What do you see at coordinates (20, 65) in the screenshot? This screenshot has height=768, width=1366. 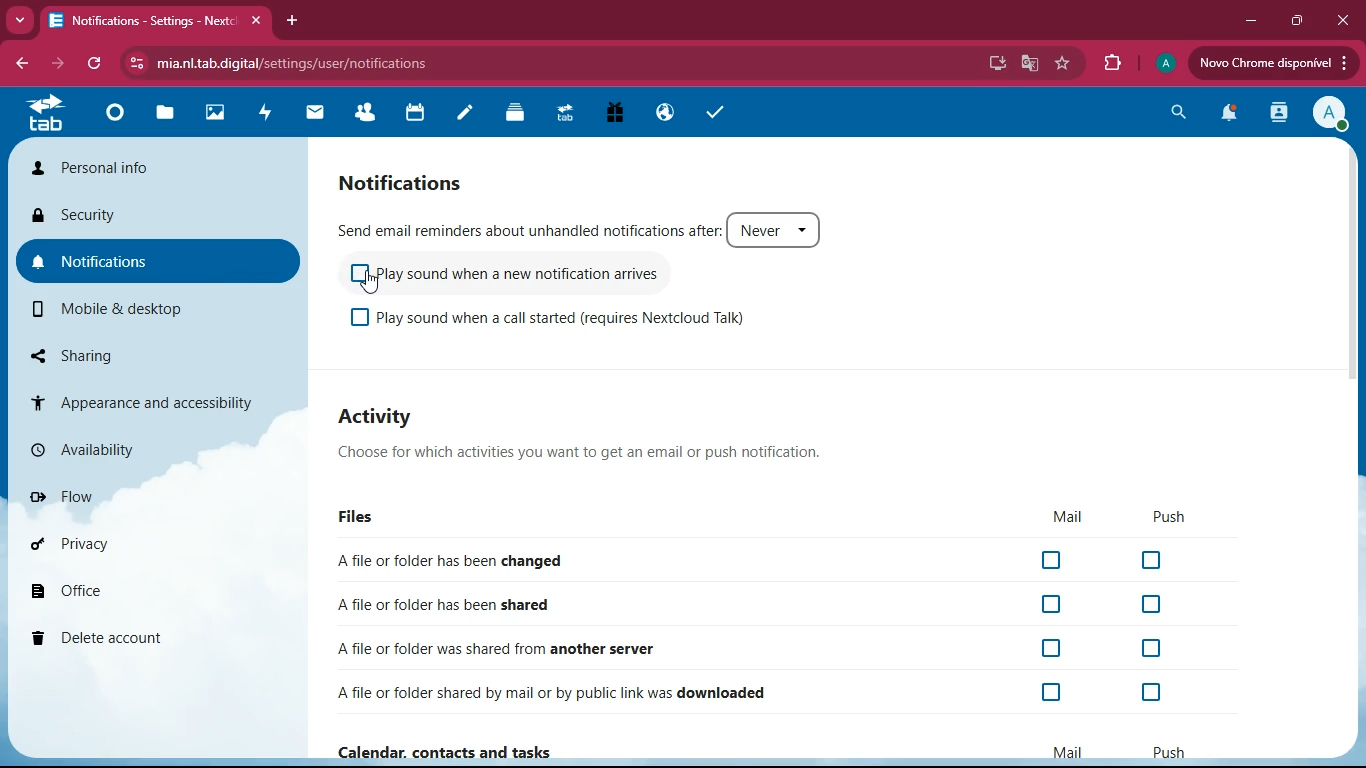 I see `back` at bounding box center [20, 65].